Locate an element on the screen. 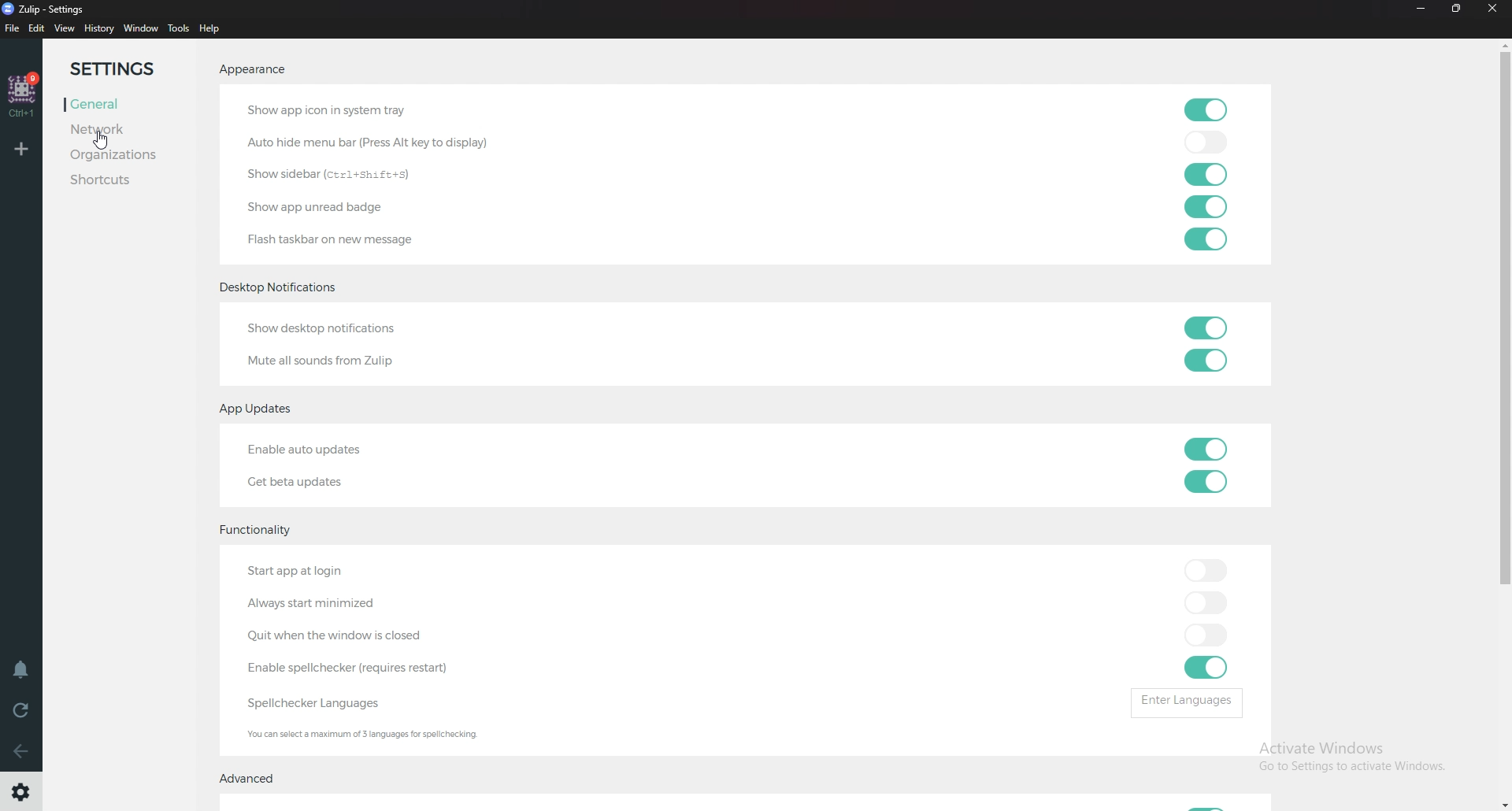 The width and height of the screenshot is (1512, 811). Network is located at coordinates (114, 129).